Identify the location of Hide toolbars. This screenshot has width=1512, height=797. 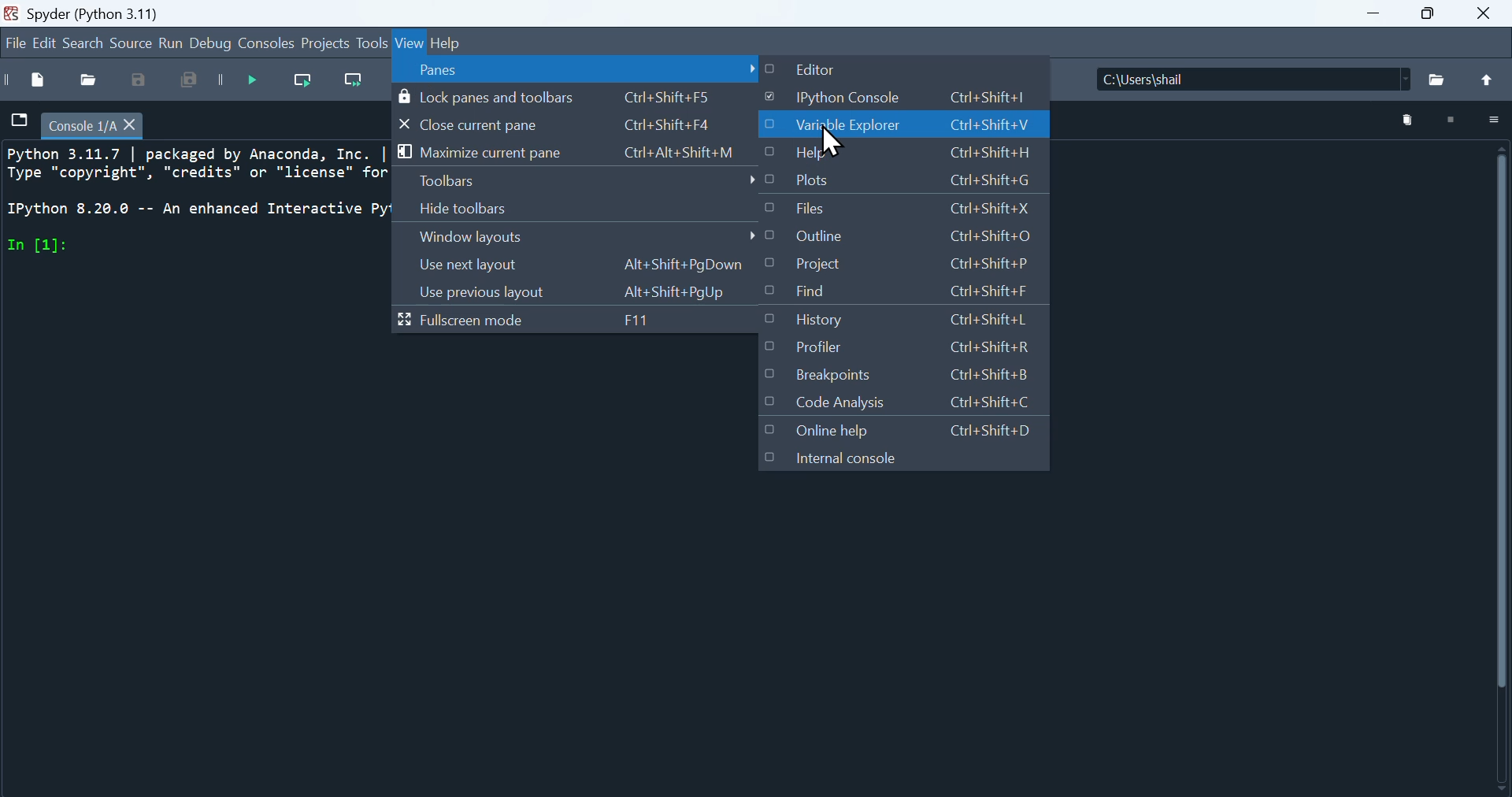
(456, 209).